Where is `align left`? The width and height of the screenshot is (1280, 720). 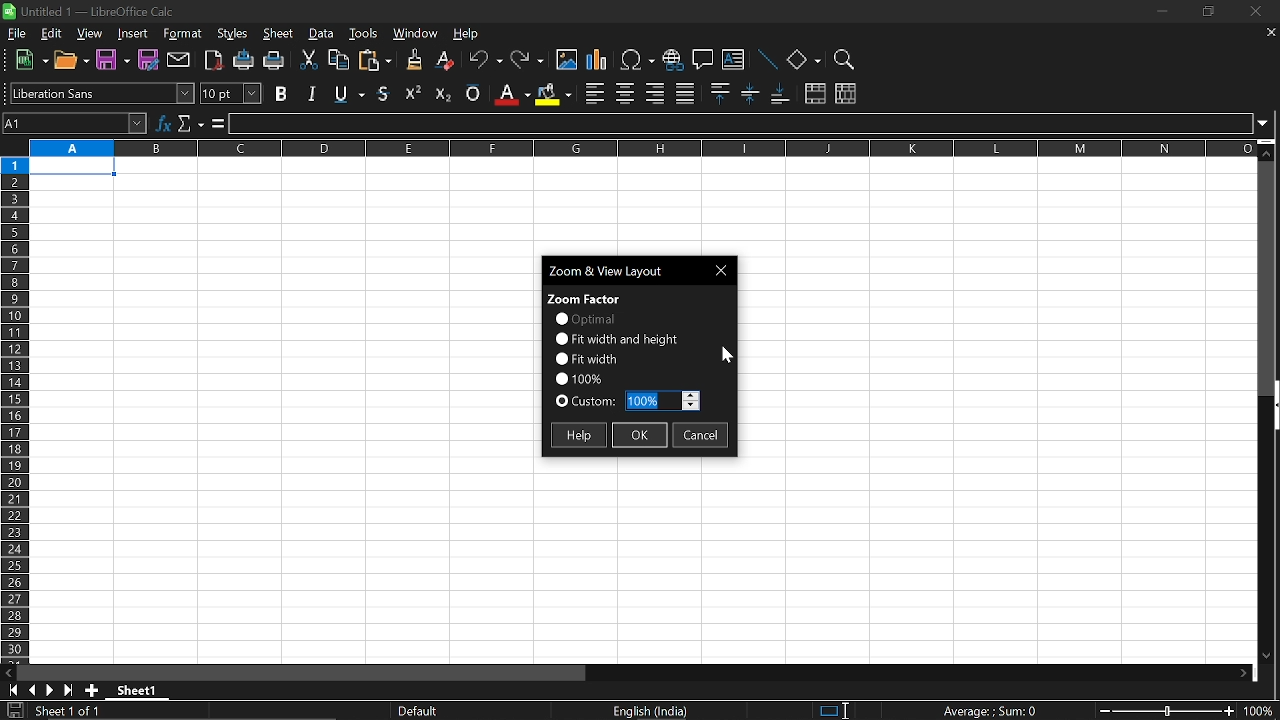 align left is located at coordinates (595, 94).